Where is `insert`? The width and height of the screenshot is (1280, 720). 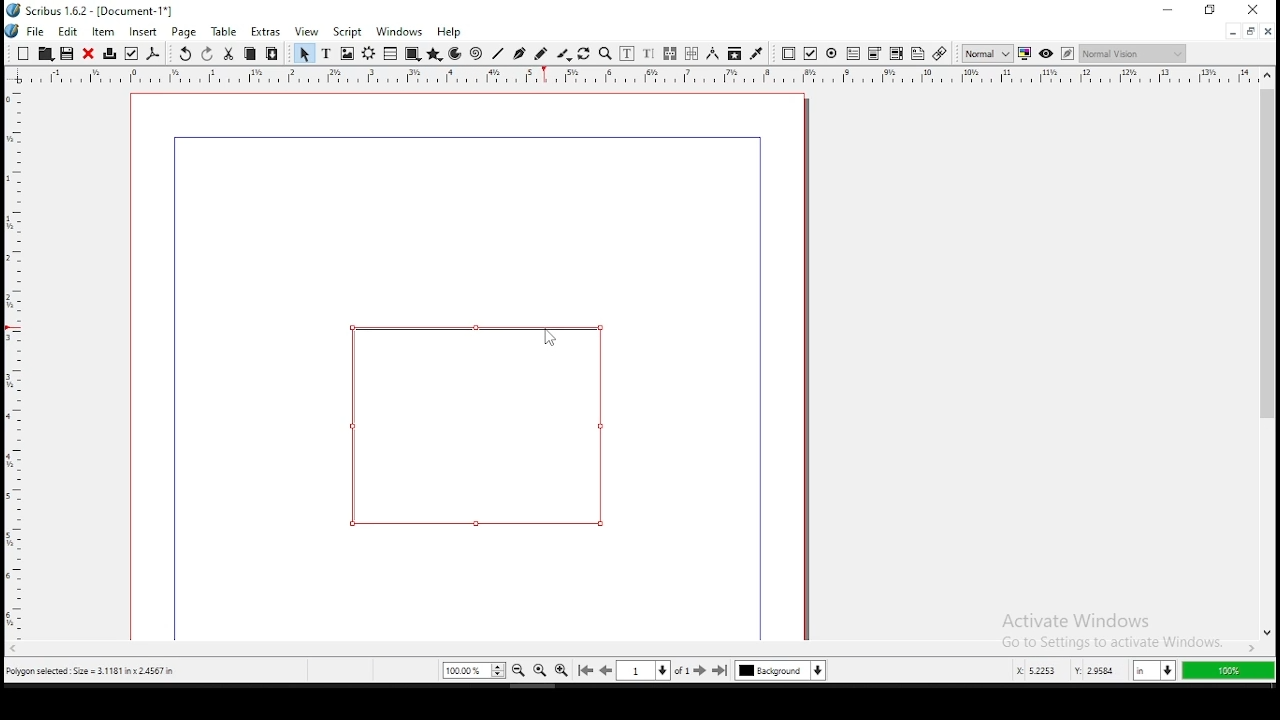
insert is located at coordinates (144, 32).